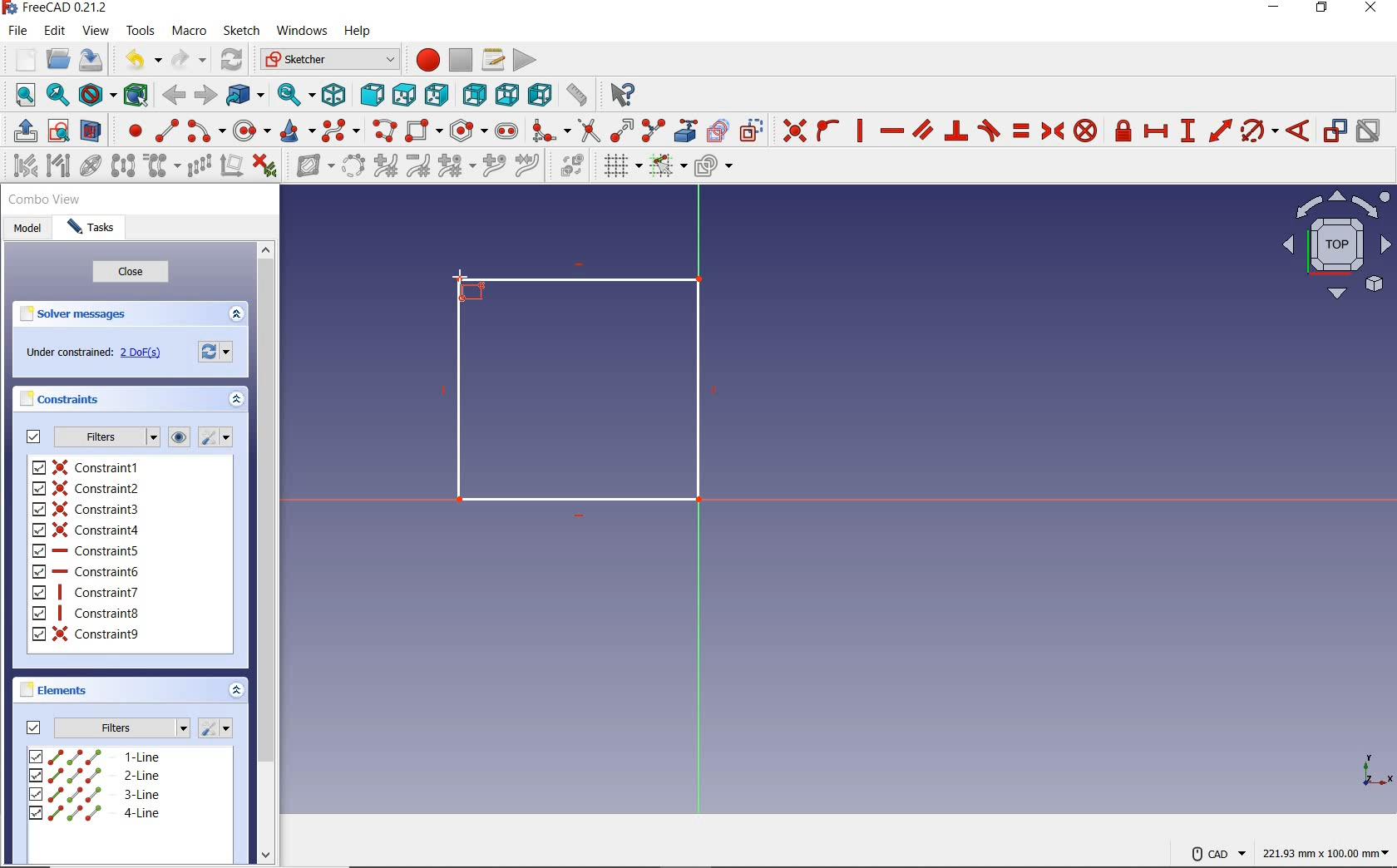  Describe the element at coordinates (1052, 131) in the screenshot. I see `constrain symmetrical` at that location.